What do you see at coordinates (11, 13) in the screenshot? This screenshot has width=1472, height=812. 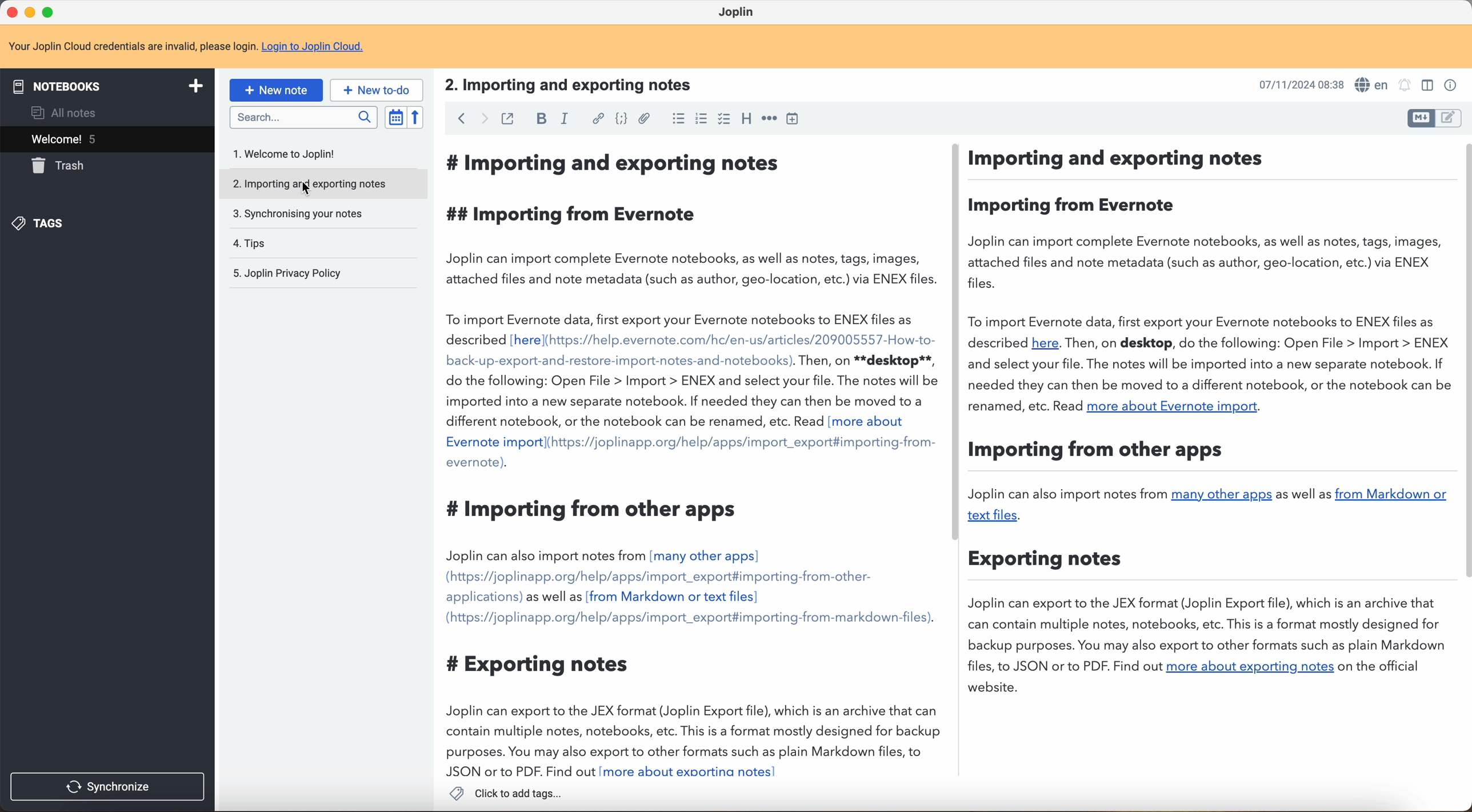 I see `close Joplin` at bounding box center [11, 13].